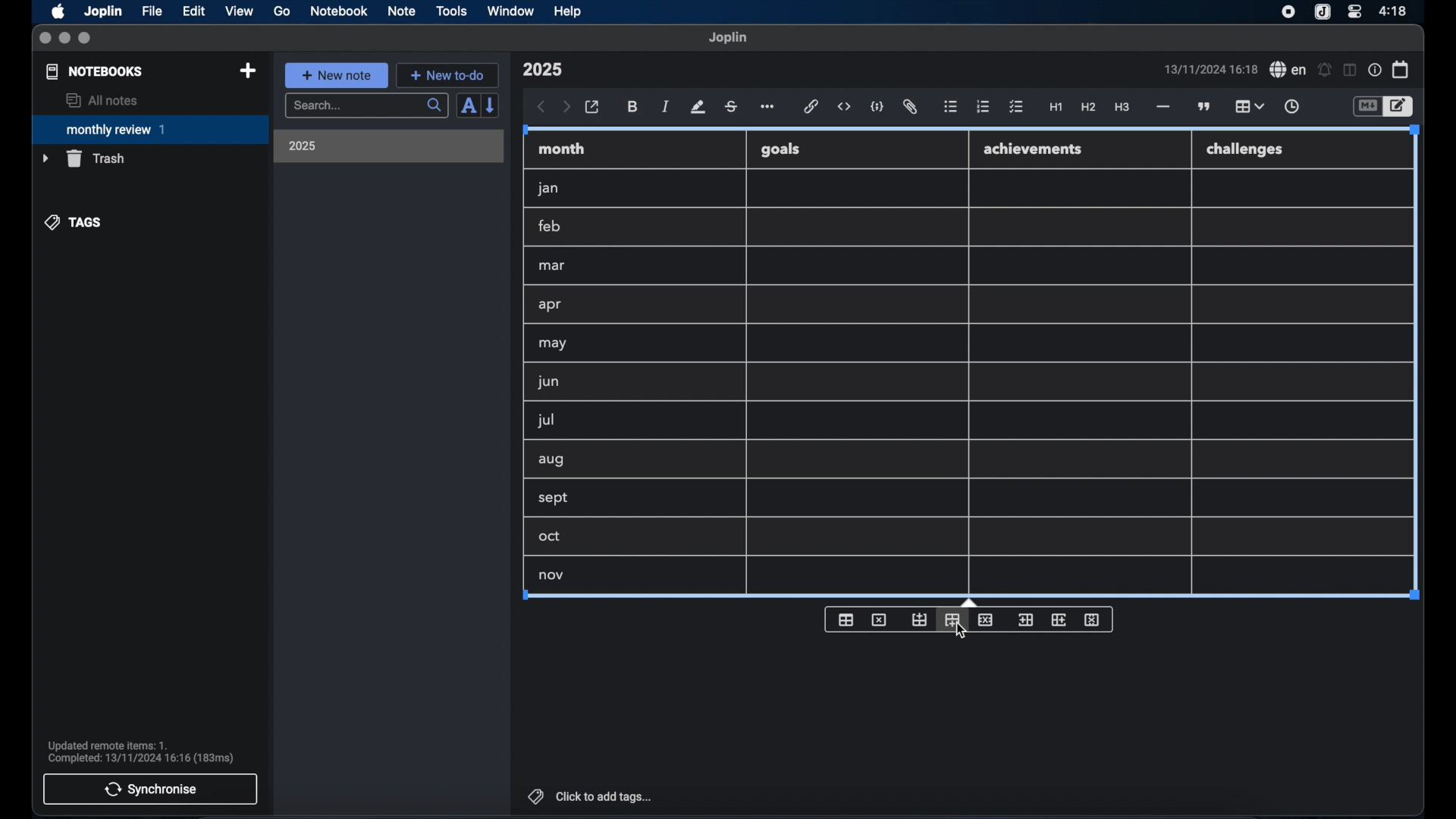  Describe the element at coordinates (769, 108) in the screenshot. I see `more options` at that location.